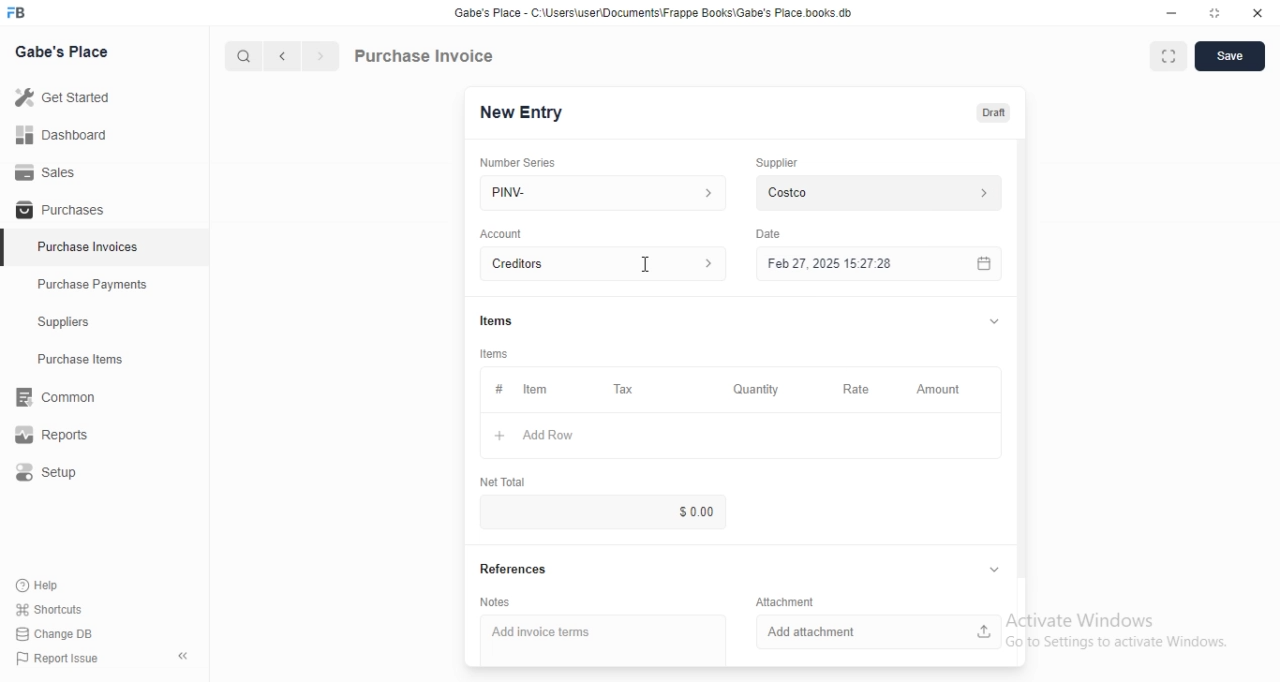 The image size is (1280, 682). What do you see at coordinates (653, 12) in the screenshot?
I see `‘Gabe's Place - C\Users\useriDocuments\Frappe Books\Gabe's Place books db.` at bounding box center [653, 12].